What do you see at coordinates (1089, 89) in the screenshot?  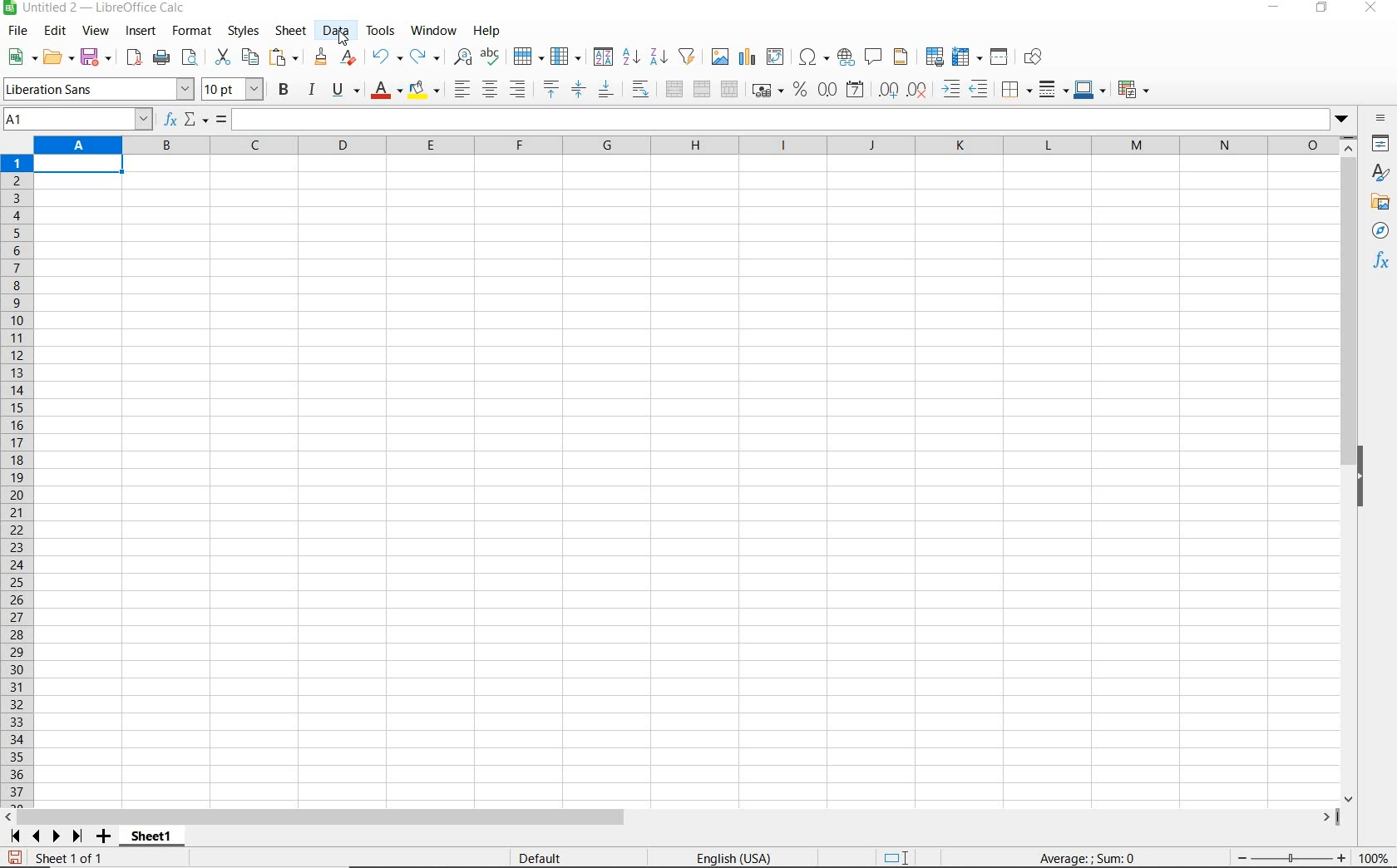 I see `border color` at bounding box center [1089, 89].